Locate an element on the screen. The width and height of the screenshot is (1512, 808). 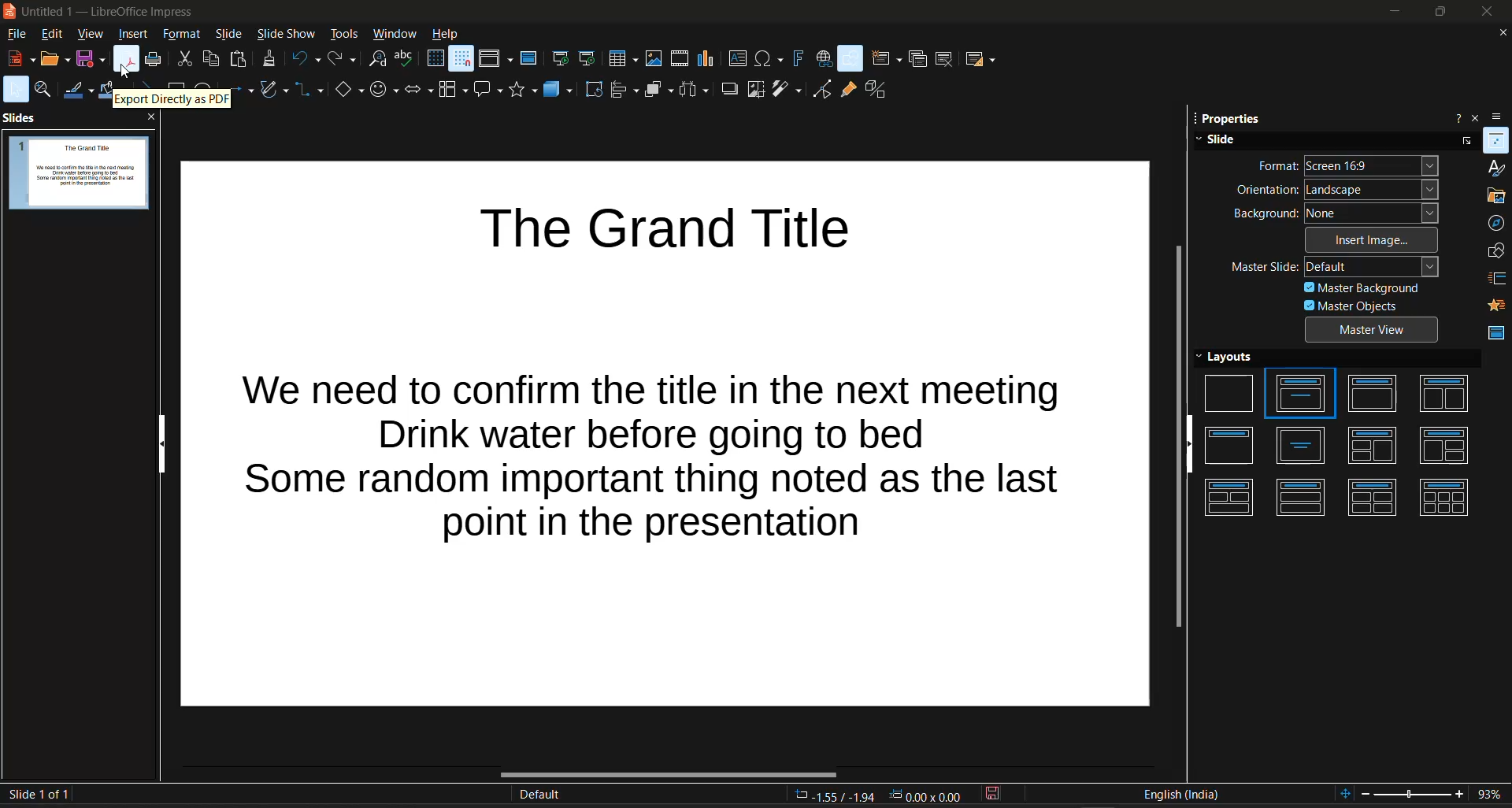
93% is located at coordinates (1494, 795).